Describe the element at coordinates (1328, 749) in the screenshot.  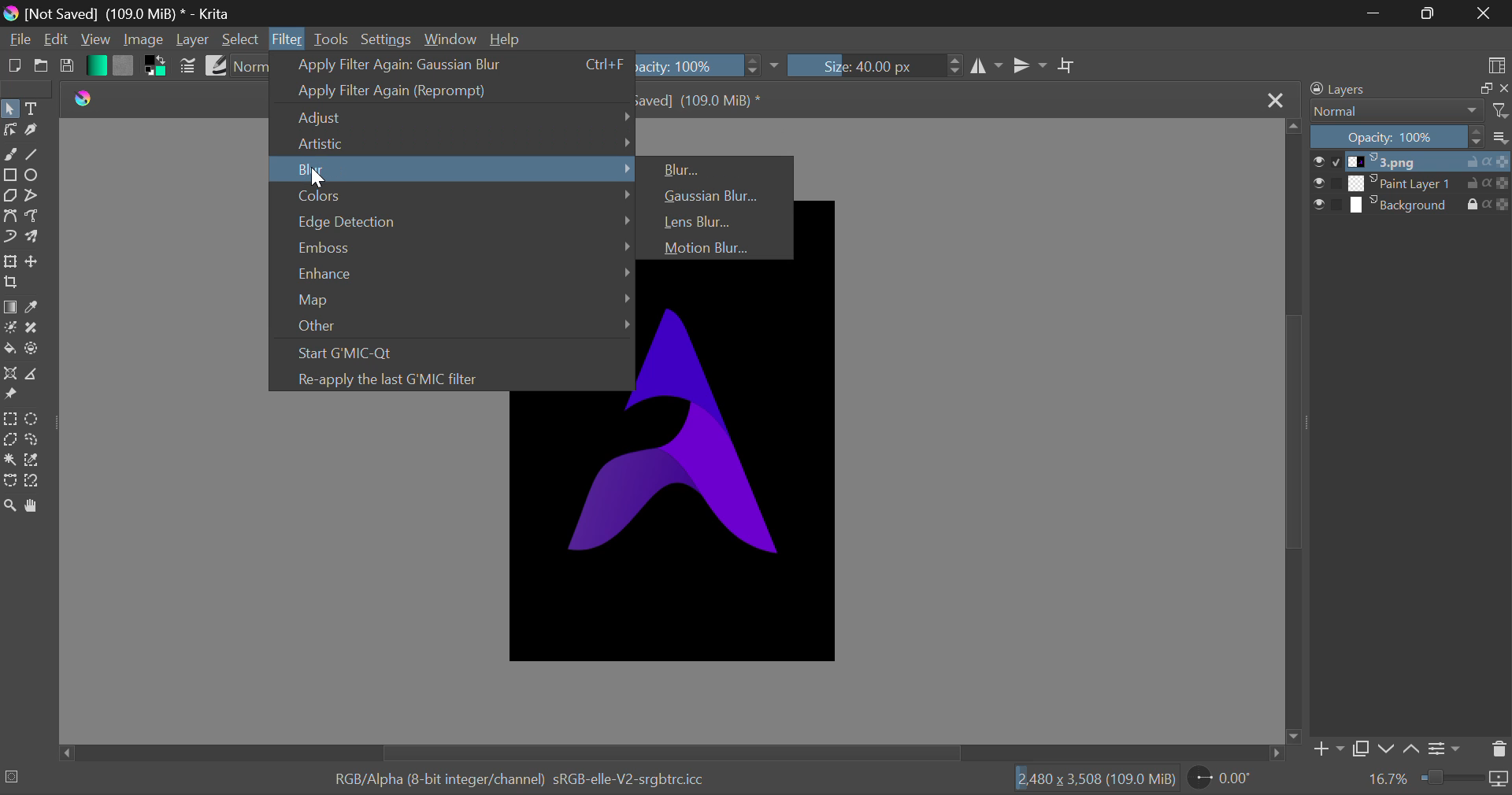
I see `Add Layer` at that location.